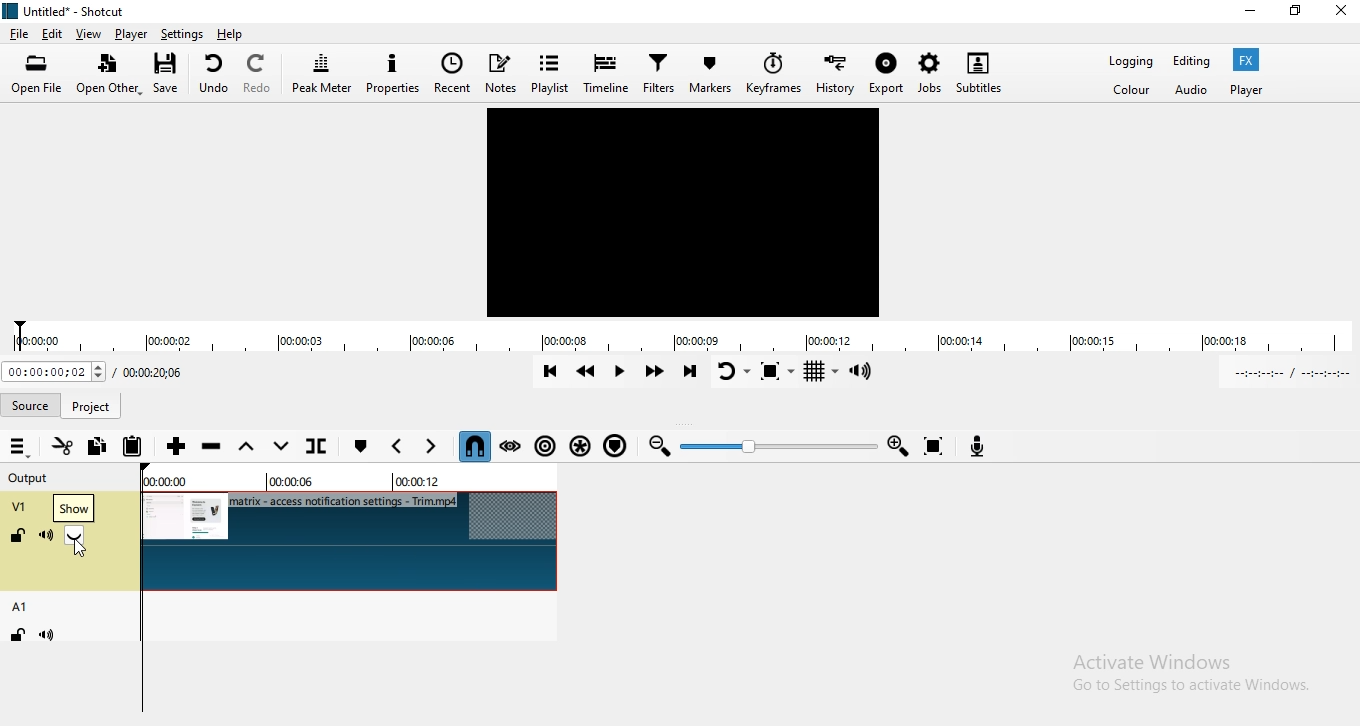 The width and height of the screenshot is (1360, 726). Describe the element at coordinates (168, 77) in the screenshot. I see `Save` at that location.